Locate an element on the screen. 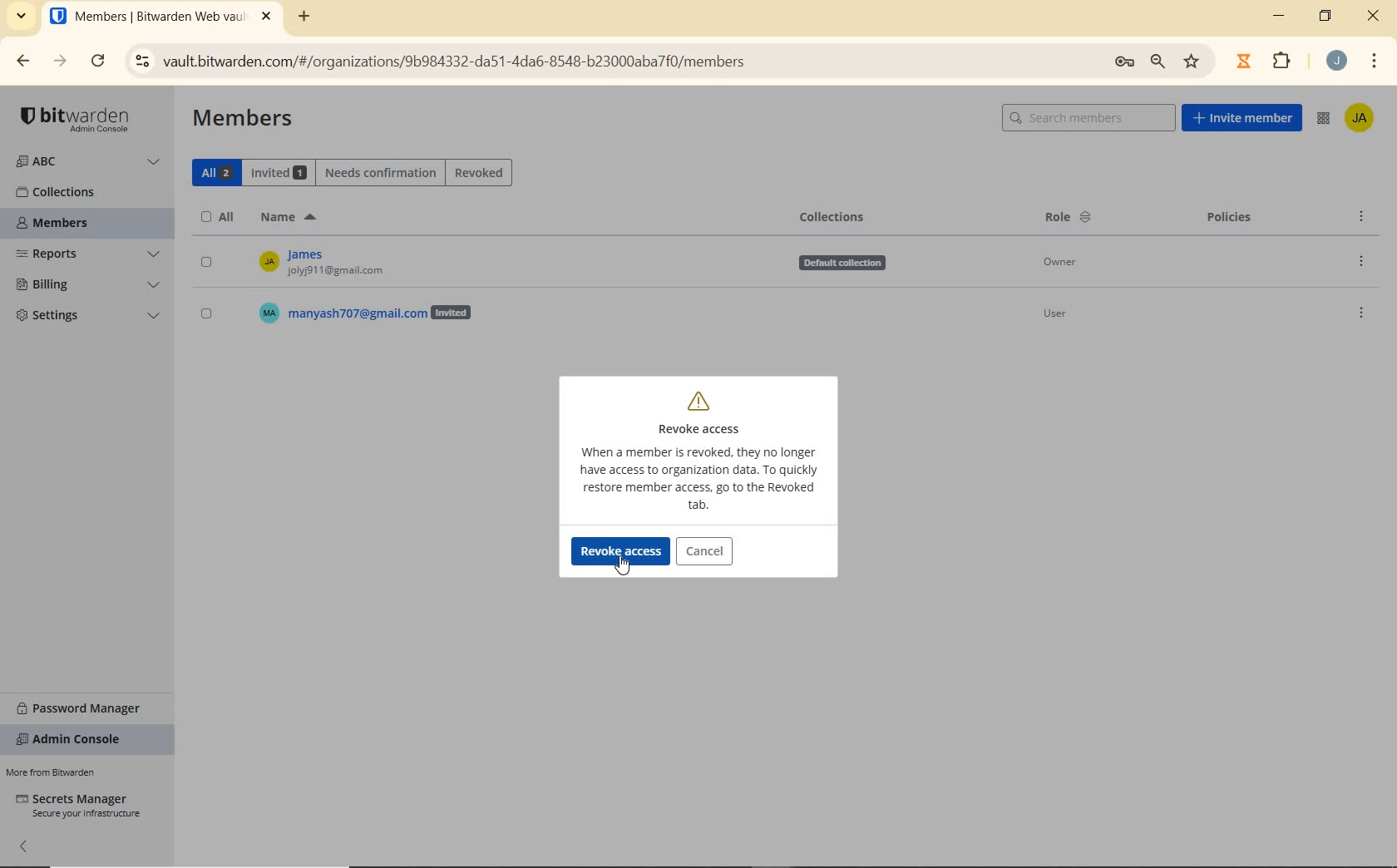  FORWARD is located at coordinates (57, 62).